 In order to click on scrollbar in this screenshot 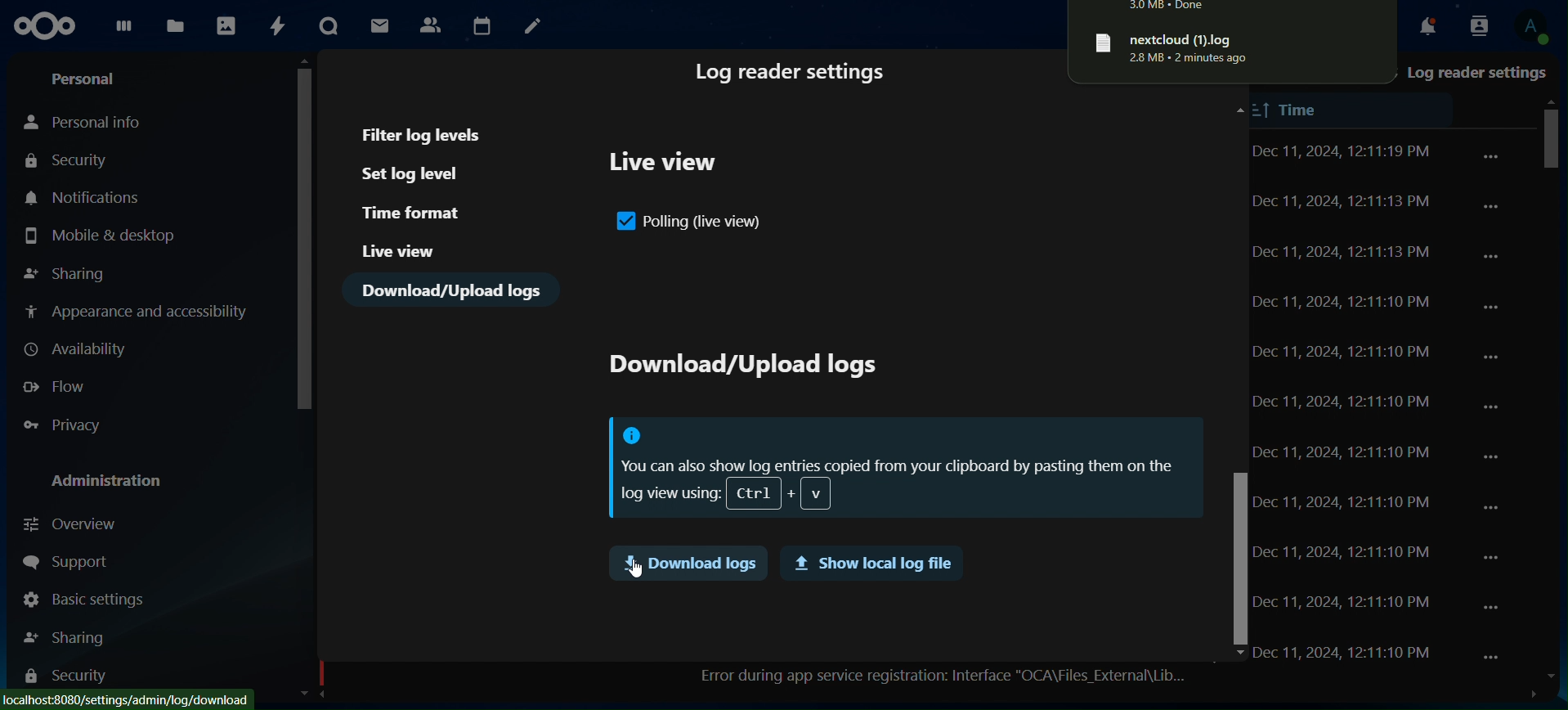, I will do `click(1552, 156)`.